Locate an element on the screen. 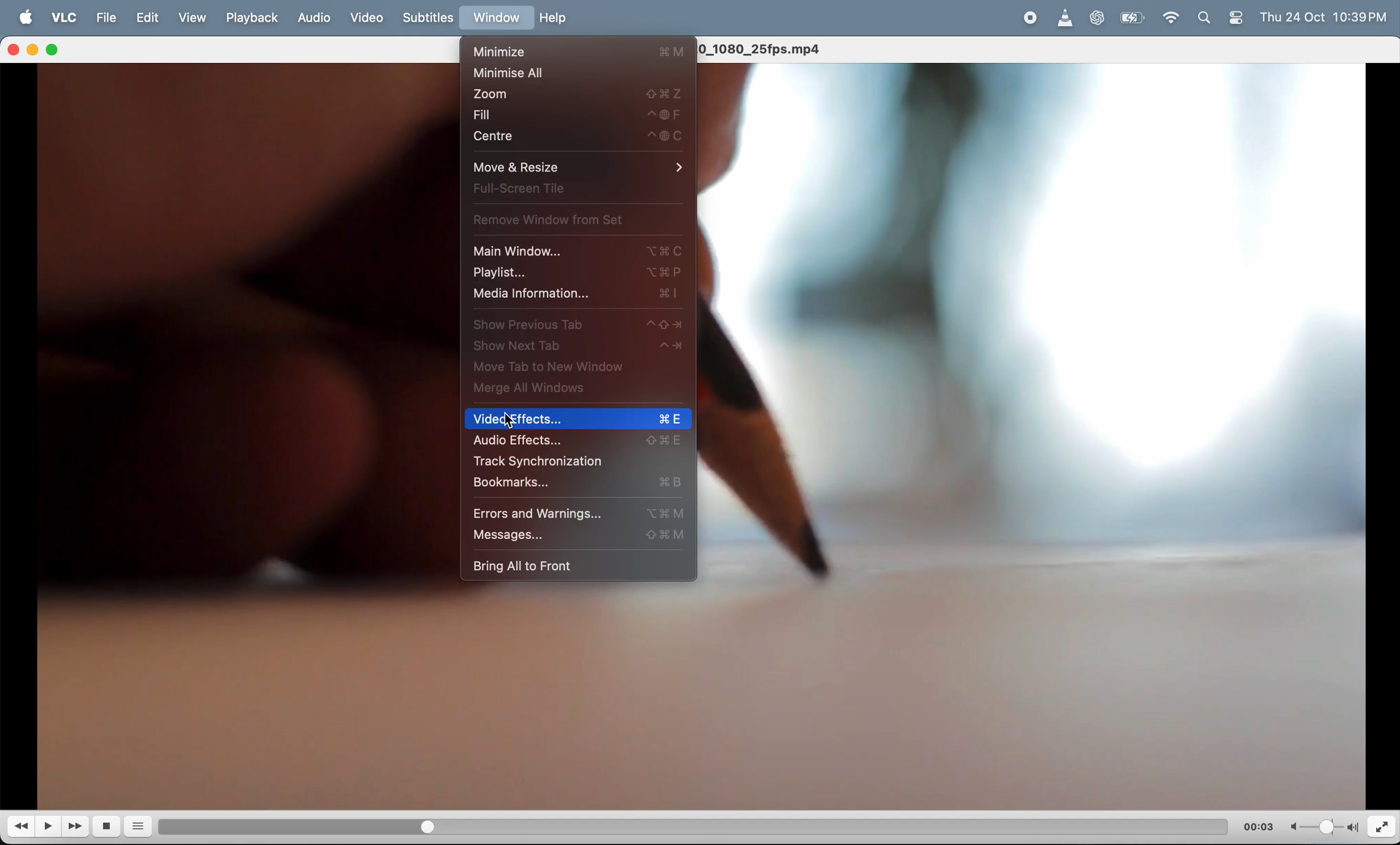 The height and width of the screenshot is (845, 1400). video title is located at coordinates (763, 48).